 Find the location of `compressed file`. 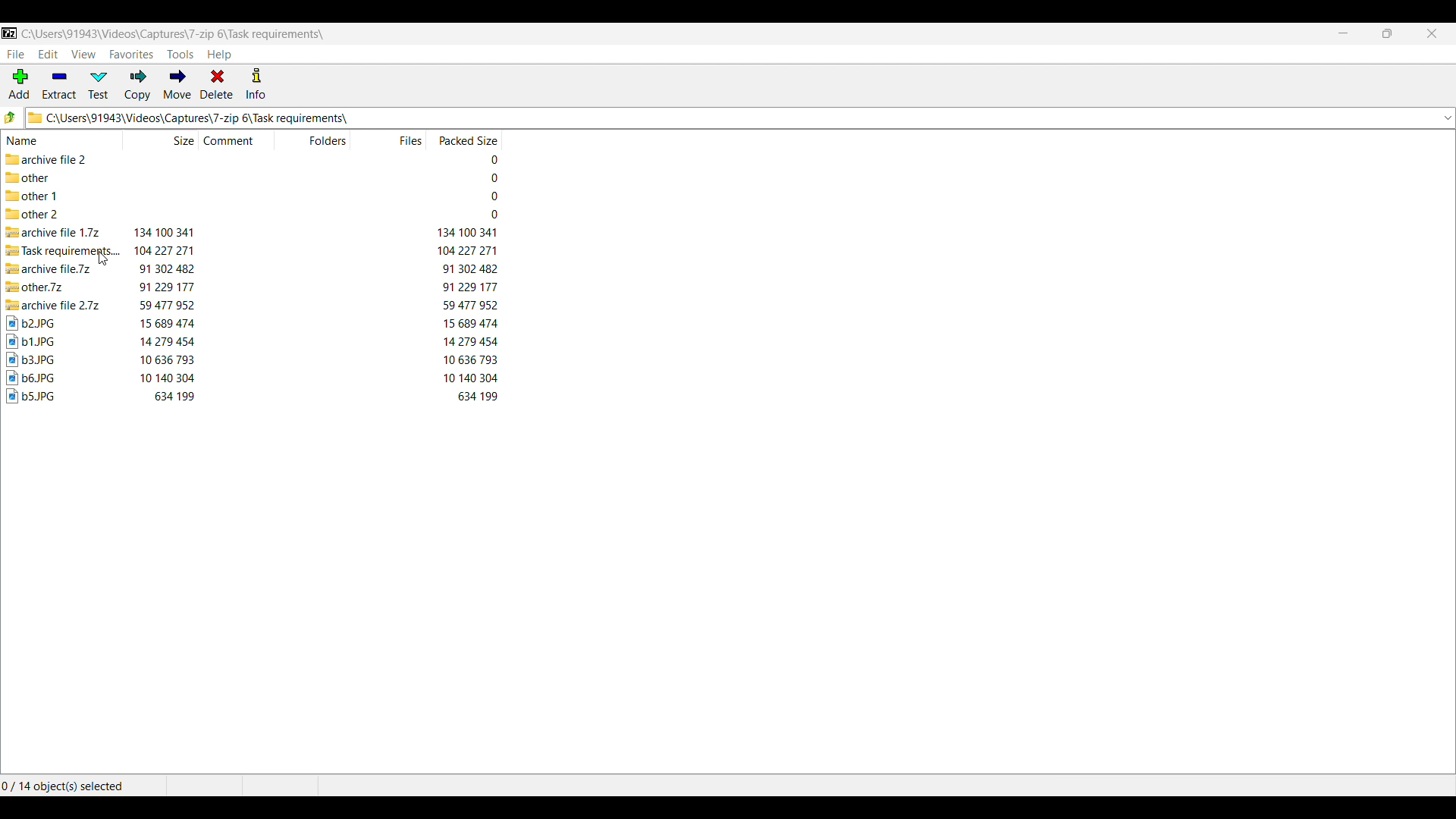

compressed file is located at coordinates (51, 305).